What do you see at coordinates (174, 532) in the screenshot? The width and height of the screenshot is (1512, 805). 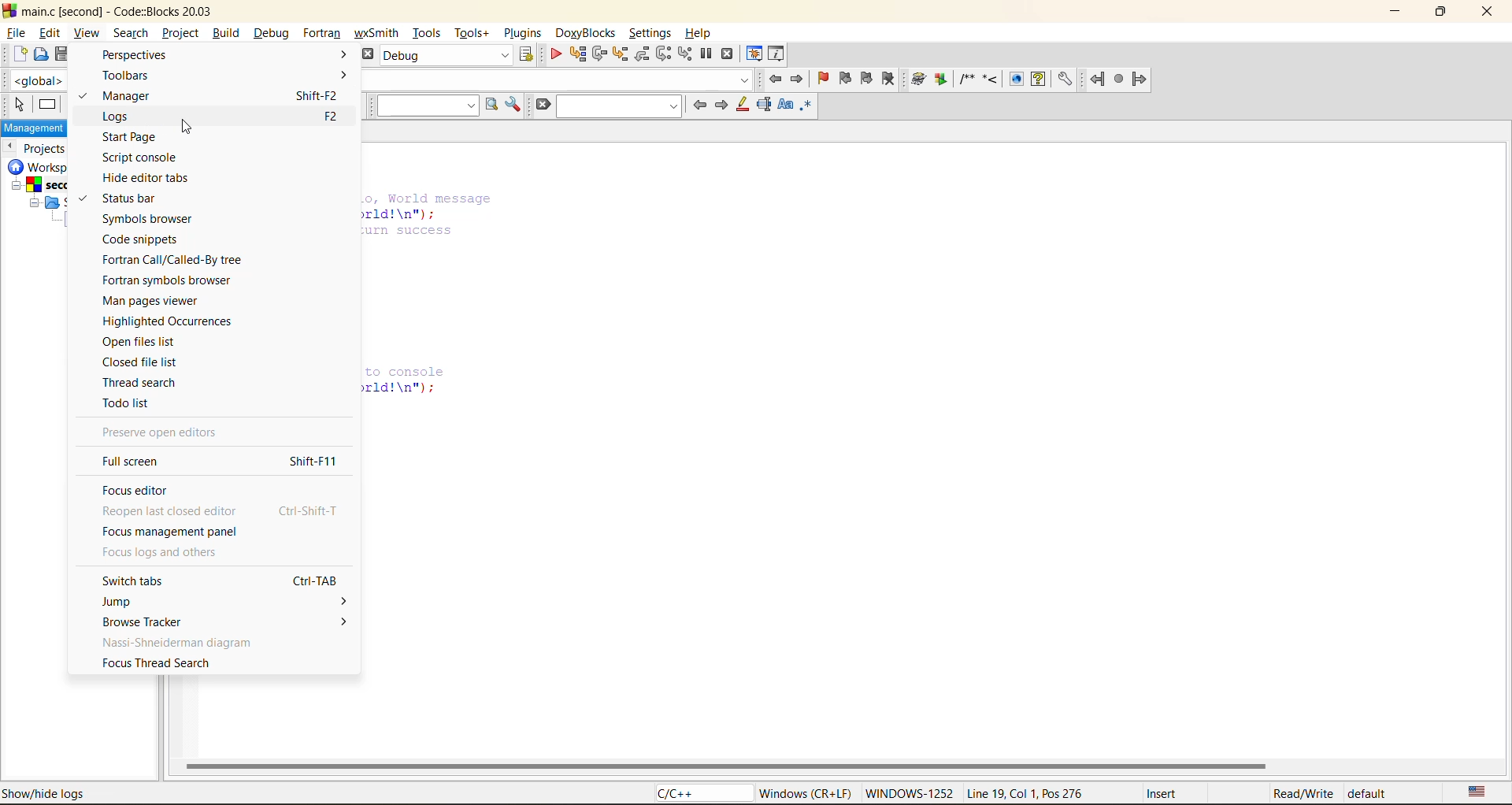 I see `focus management panel` at bounding box center [174, 532].